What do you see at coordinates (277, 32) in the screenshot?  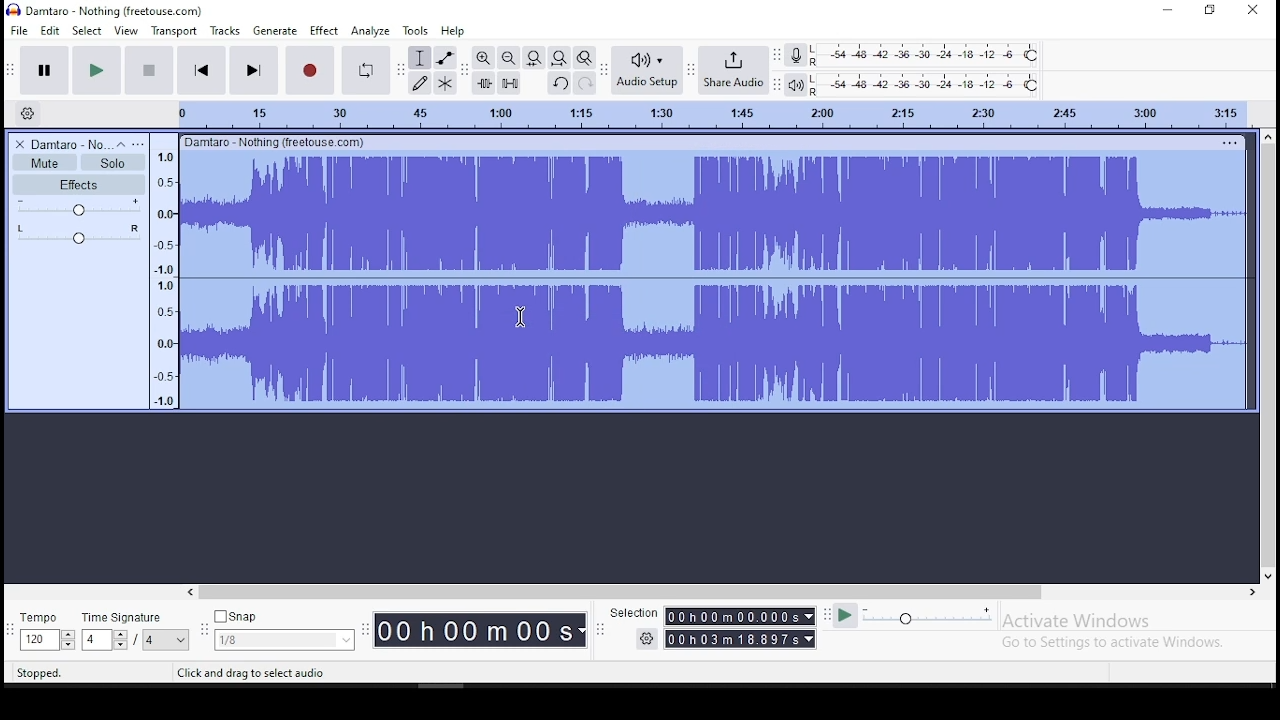 I see `generate` at bounding box center [277, 32].